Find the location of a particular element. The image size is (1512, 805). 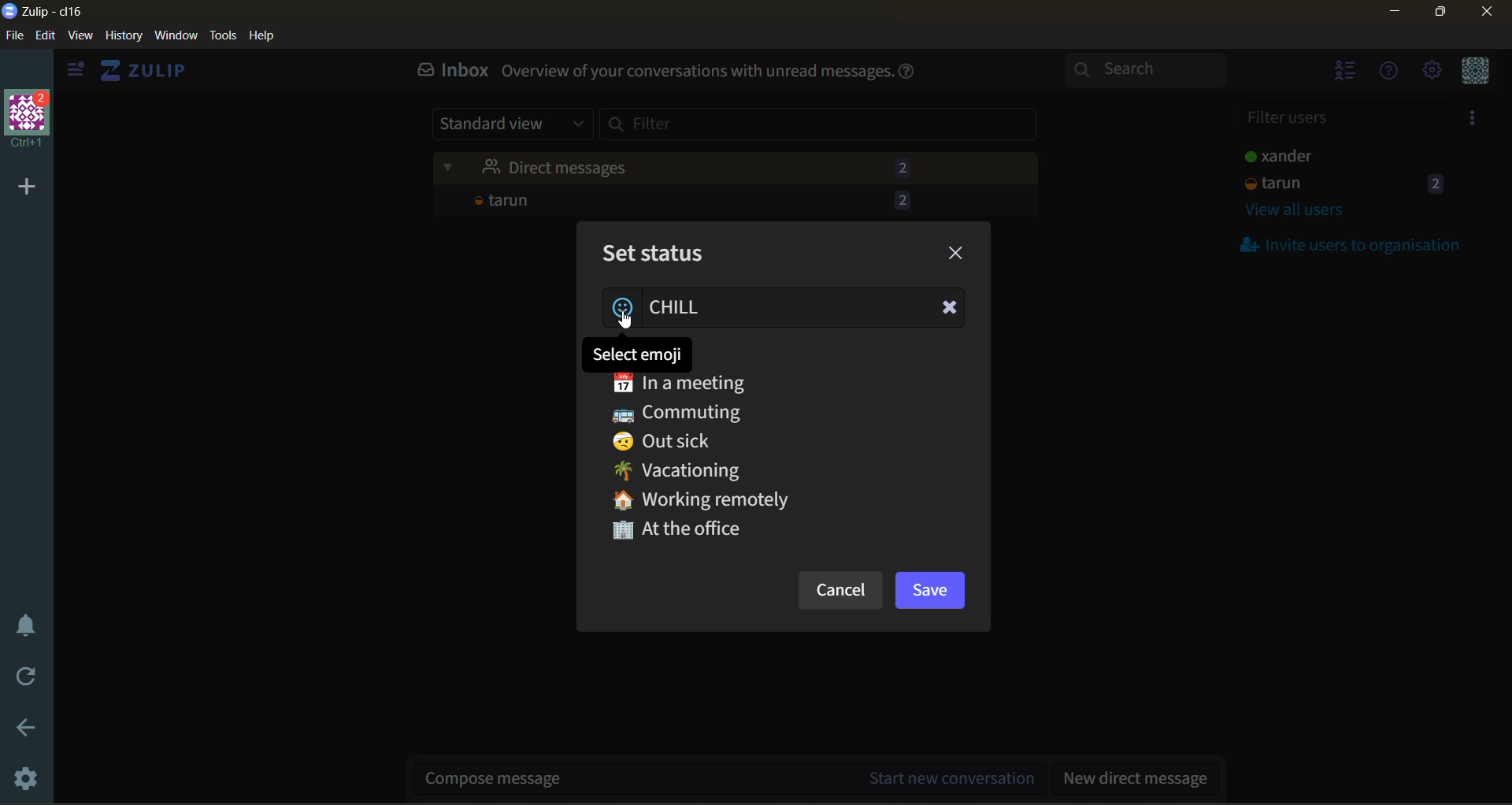

filter is located at coordinates (830, 128).